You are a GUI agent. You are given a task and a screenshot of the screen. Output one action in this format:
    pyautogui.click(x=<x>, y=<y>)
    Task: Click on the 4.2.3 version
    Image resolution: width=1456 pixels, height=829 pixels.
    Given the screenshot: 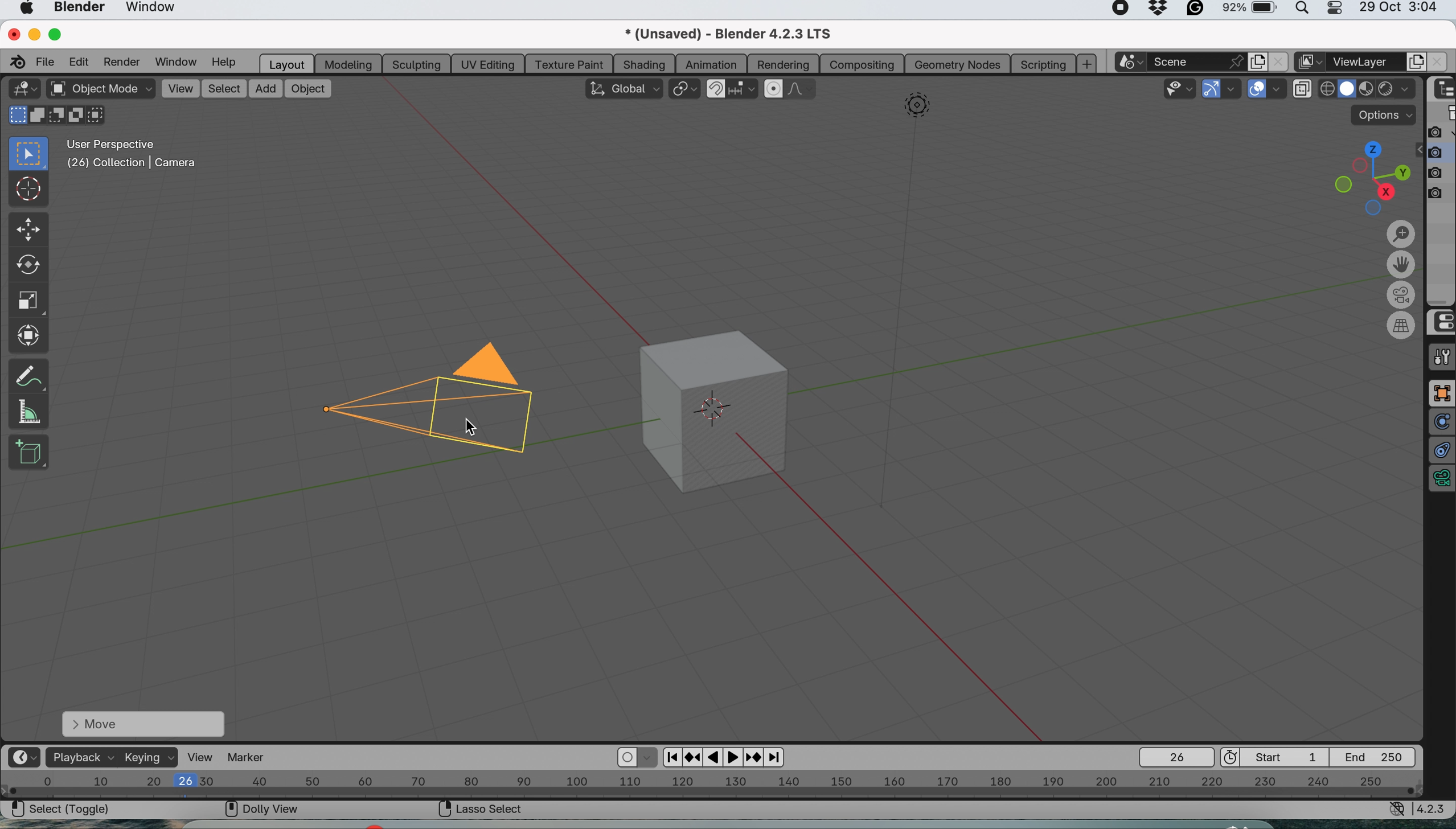 What is the action you would take?
    pyautogui.click(x=1434, y=809)
    